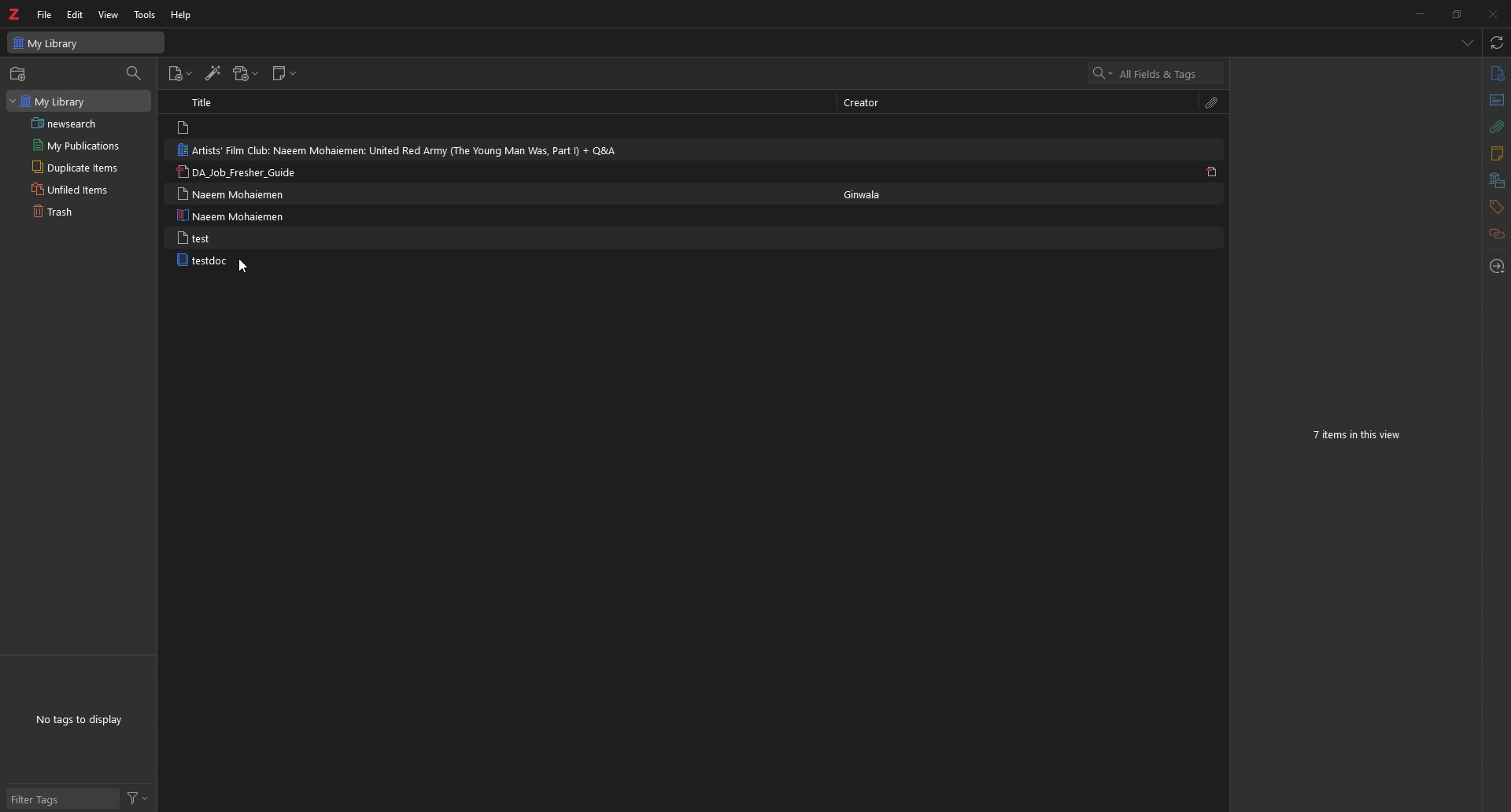 This screenshot has height=812, width=1511. Describe the element at coordinates (235, 172) in the screenshot. I see `'DA_Job_Fresher Guide` at that location.